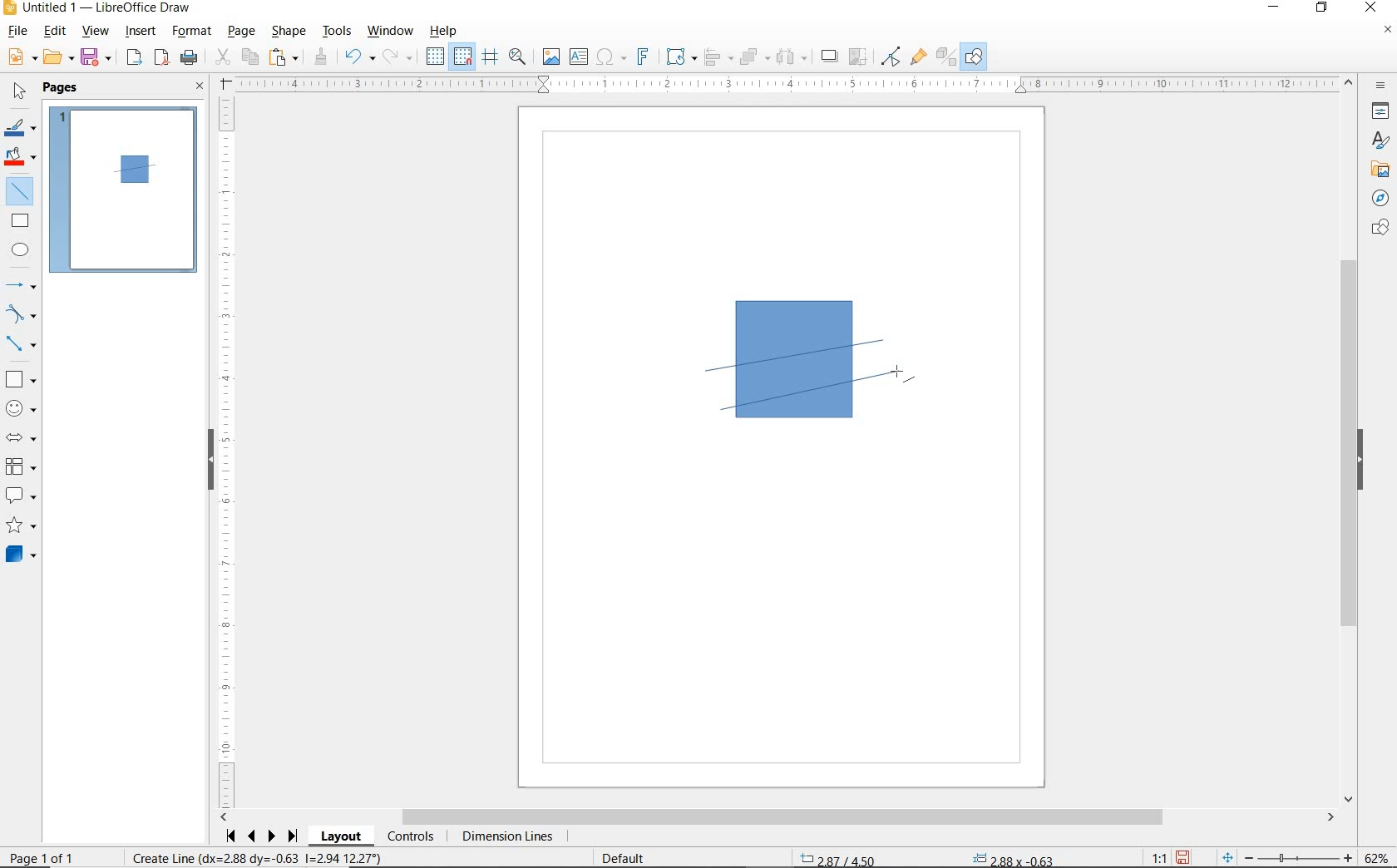 This screenshot has width=1397, height=868. I want to click on CONNECTORS, so click(21, 345).